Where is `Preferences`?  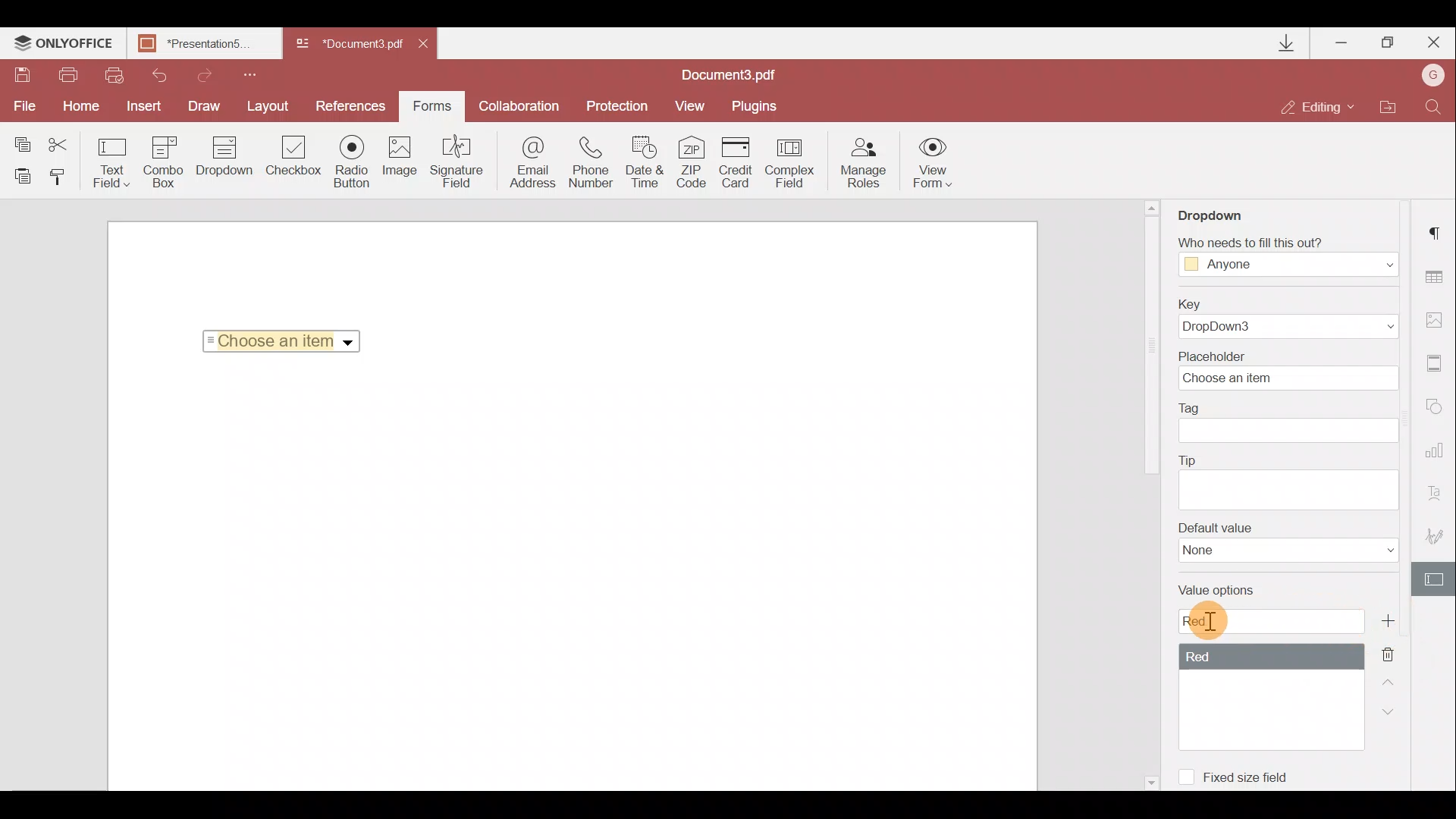
Preferences is located at coordinates (352, 106).